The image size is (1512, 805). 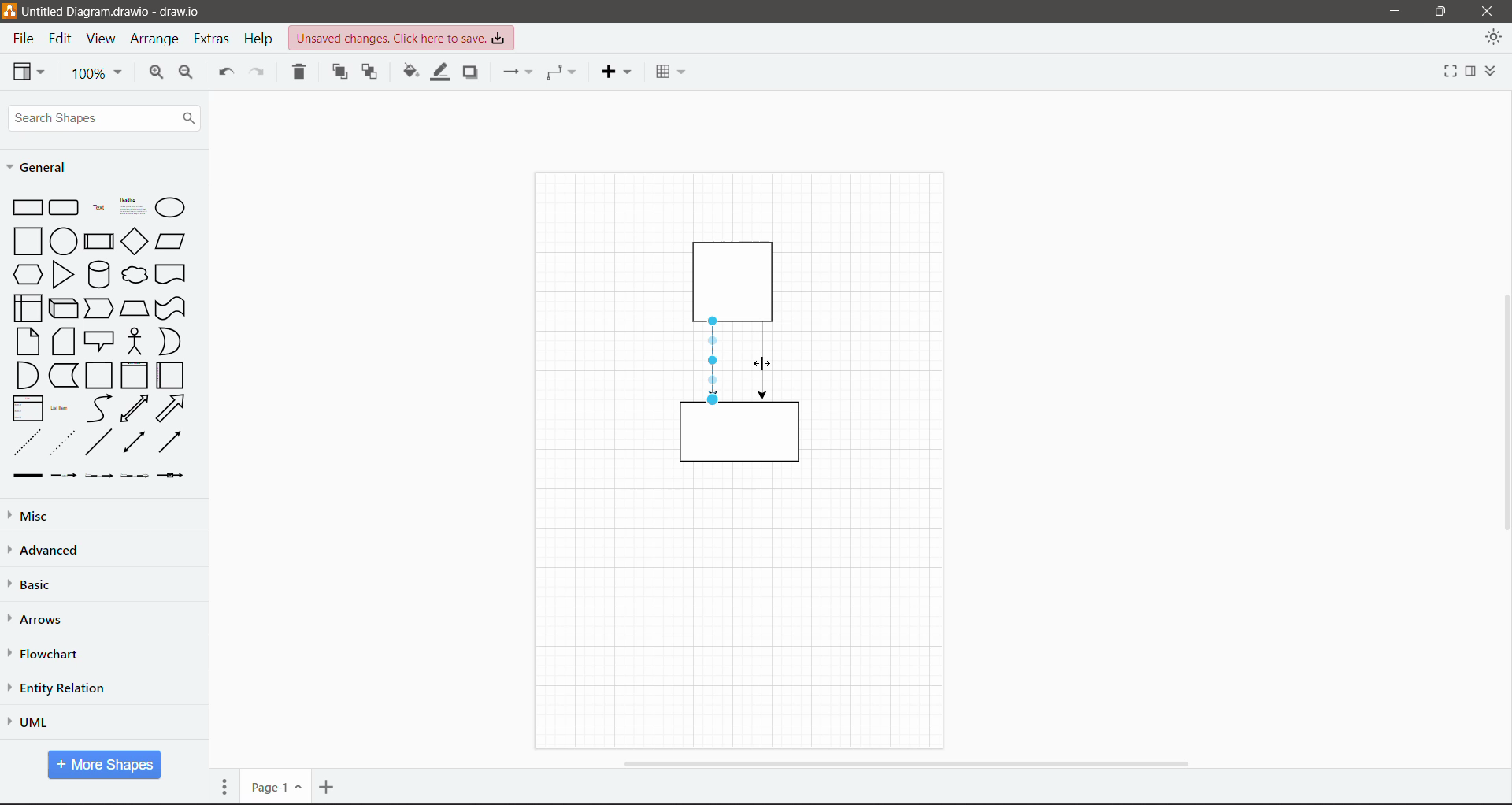 What do you see at coordinates (64, 515) in the screenshot?
I see `Misc` at bounding box center [64, 515].